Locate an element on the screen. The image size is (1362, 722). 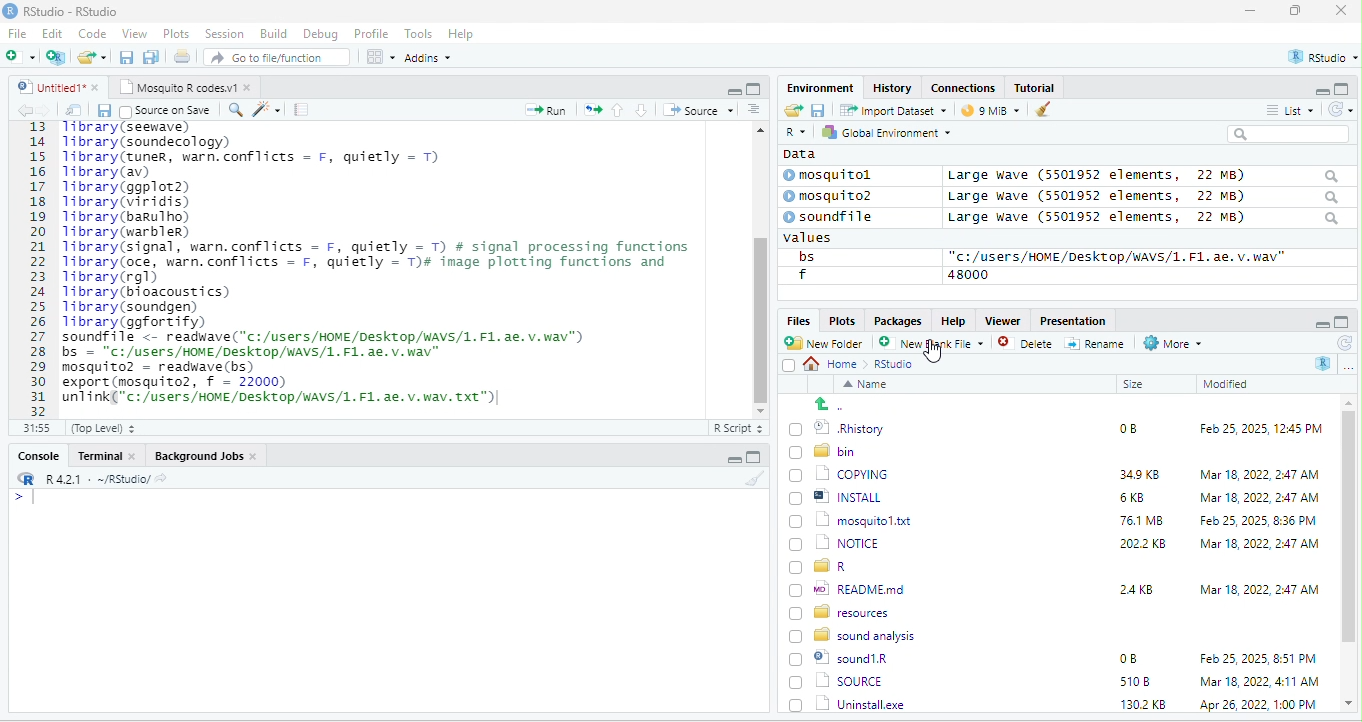
Packages is located at coordinates (901, 320).